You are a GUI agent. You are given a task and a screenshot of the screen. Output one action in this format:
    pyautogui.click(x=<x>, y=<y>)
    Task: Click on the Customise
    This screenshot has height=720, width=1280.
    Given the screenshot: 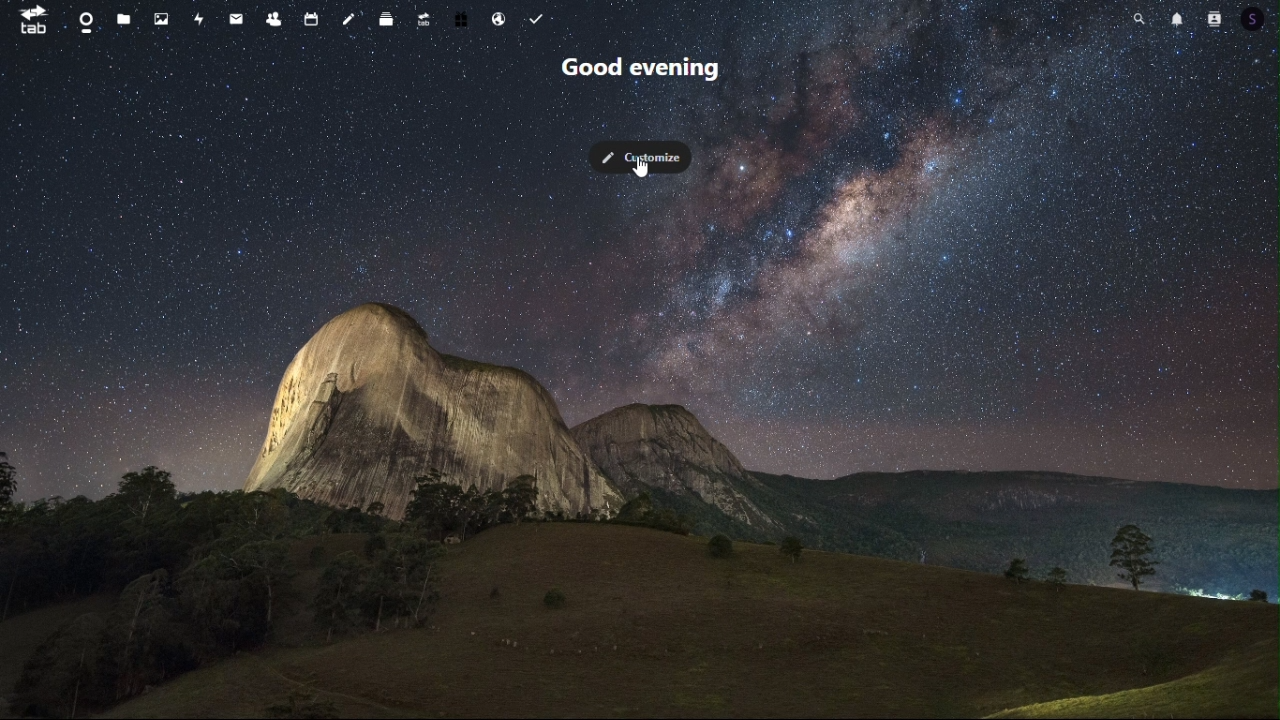 What is the action you would take?
    pyautogui.click(x=641, y=159)
    